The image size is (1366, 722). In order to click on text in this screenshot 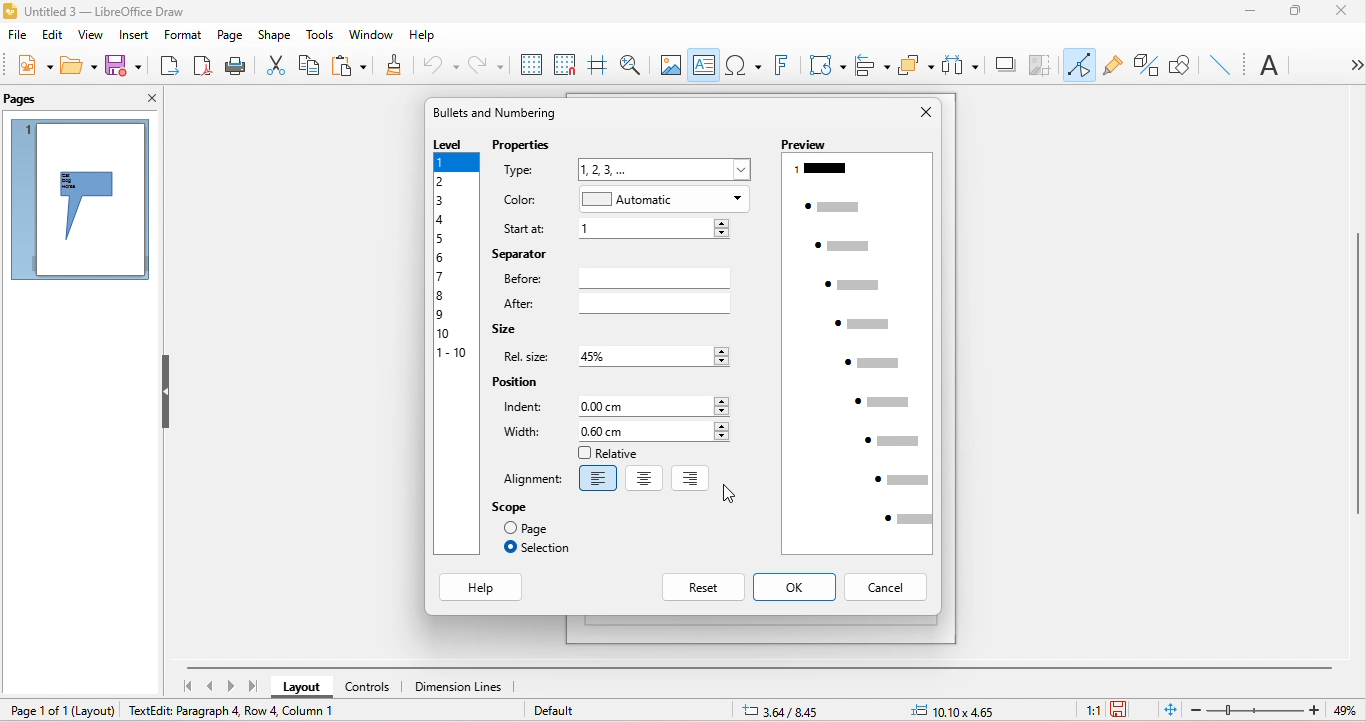, I will do `click(1272, 67)`.